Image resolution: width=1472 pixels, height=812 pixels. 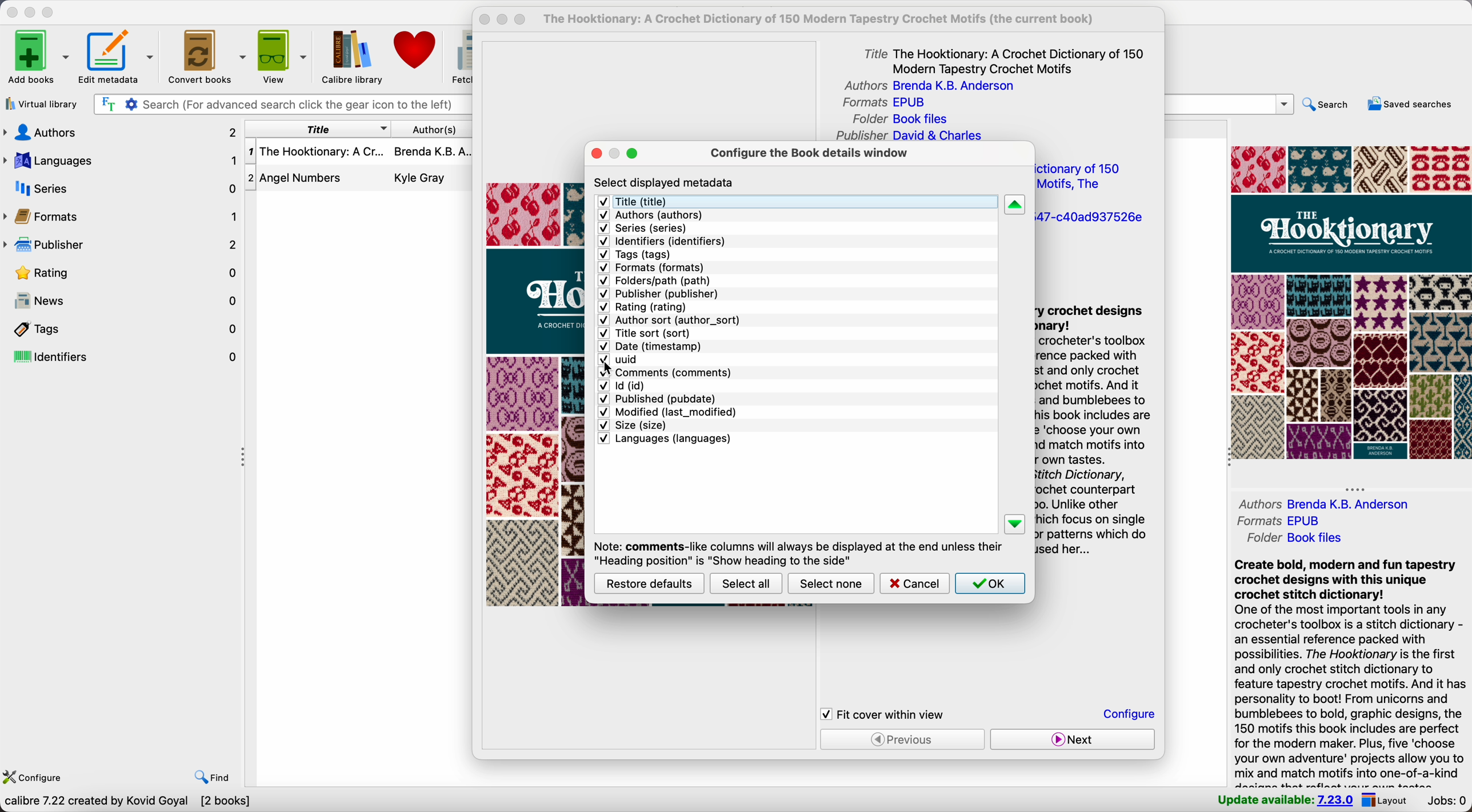 I want to click on author sort, so click(x=670, y=320).